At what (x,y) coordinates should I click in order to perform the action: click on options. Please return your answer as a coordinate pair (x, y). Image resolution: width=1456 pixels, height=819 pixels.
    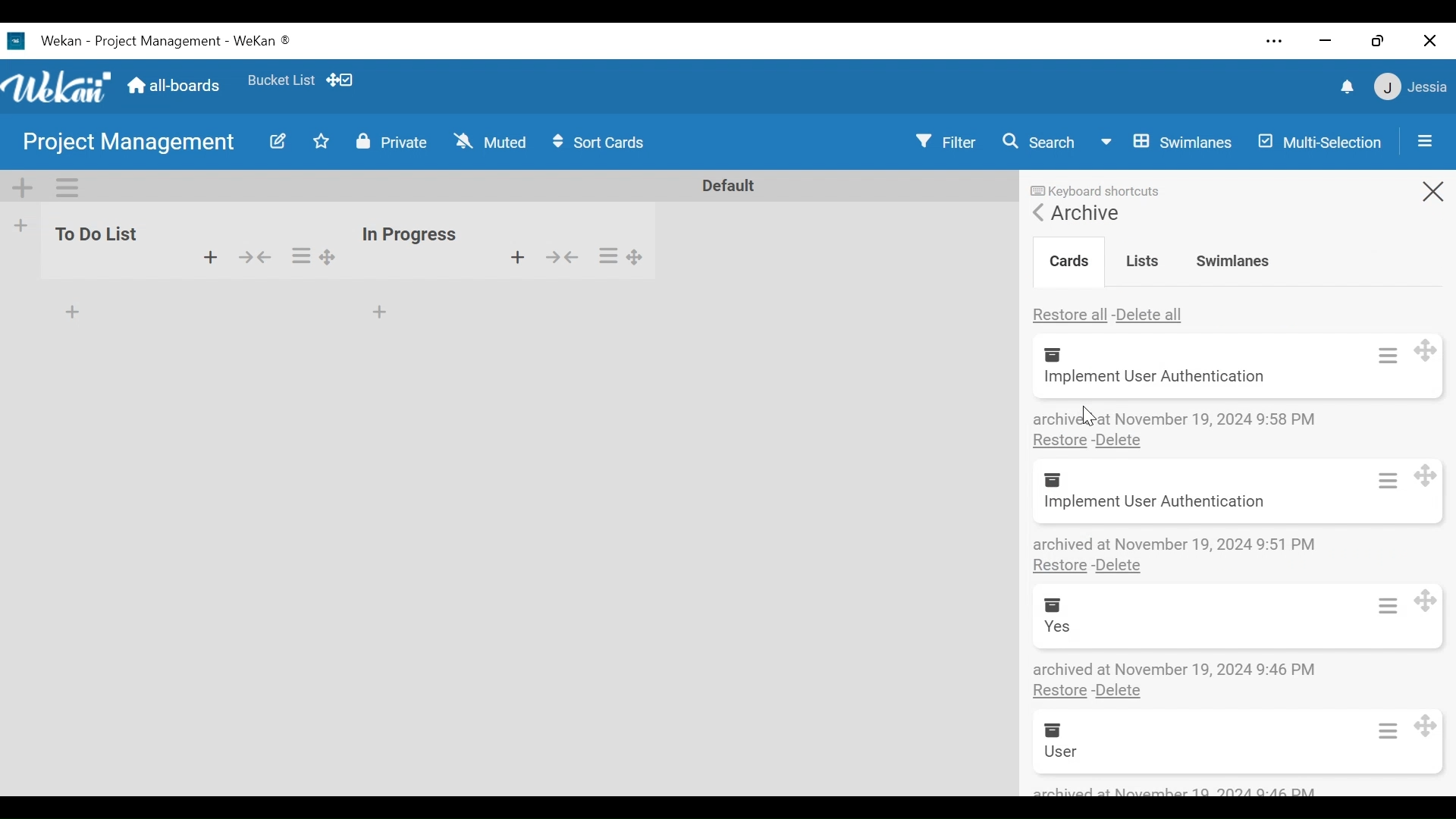
    Looking at the image, I should click on (311, 253).